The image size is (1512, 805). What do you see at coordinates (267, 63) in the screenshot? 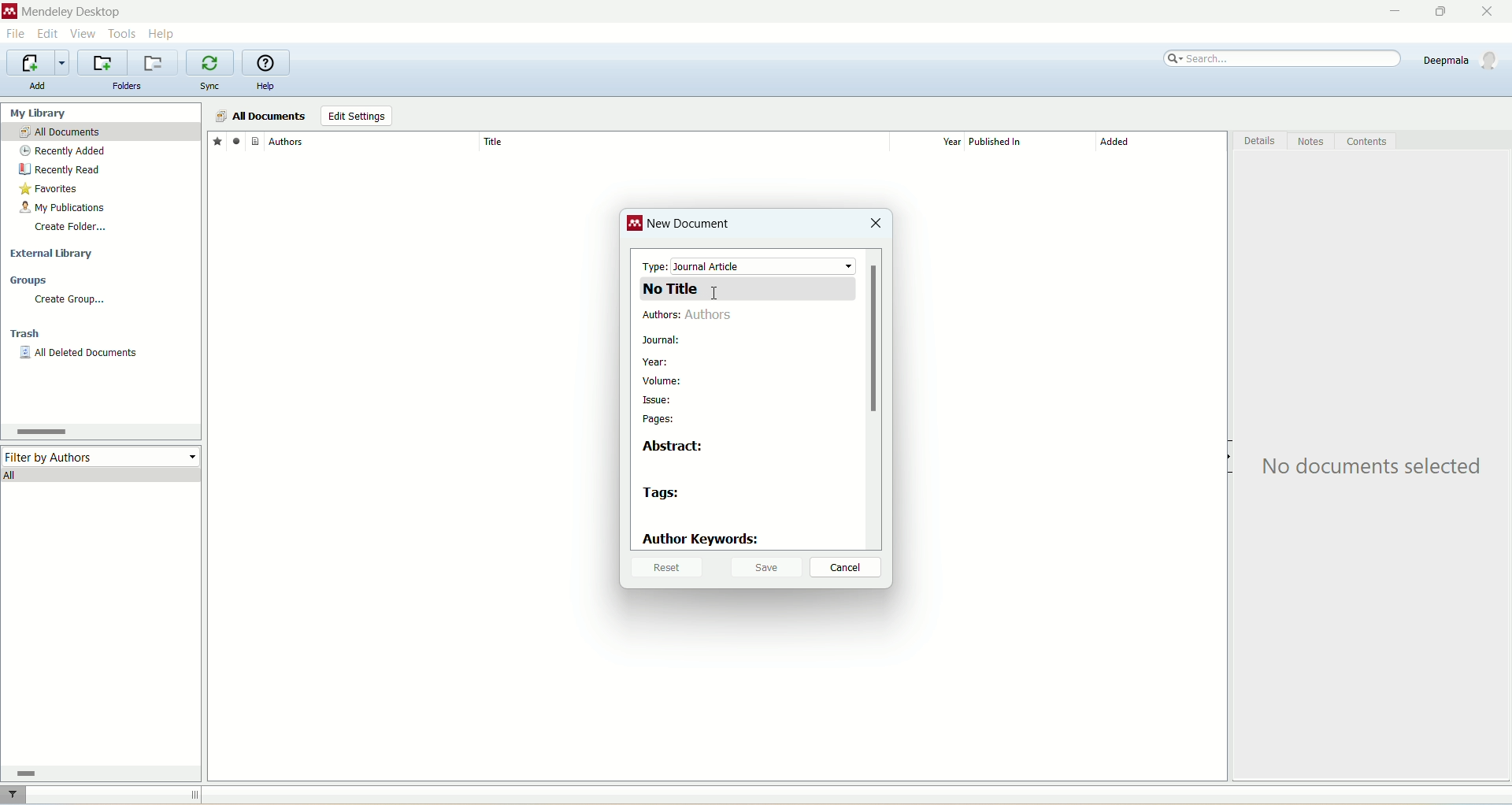
I see `online help guide for mendeley` at bounding box center [267, 63].